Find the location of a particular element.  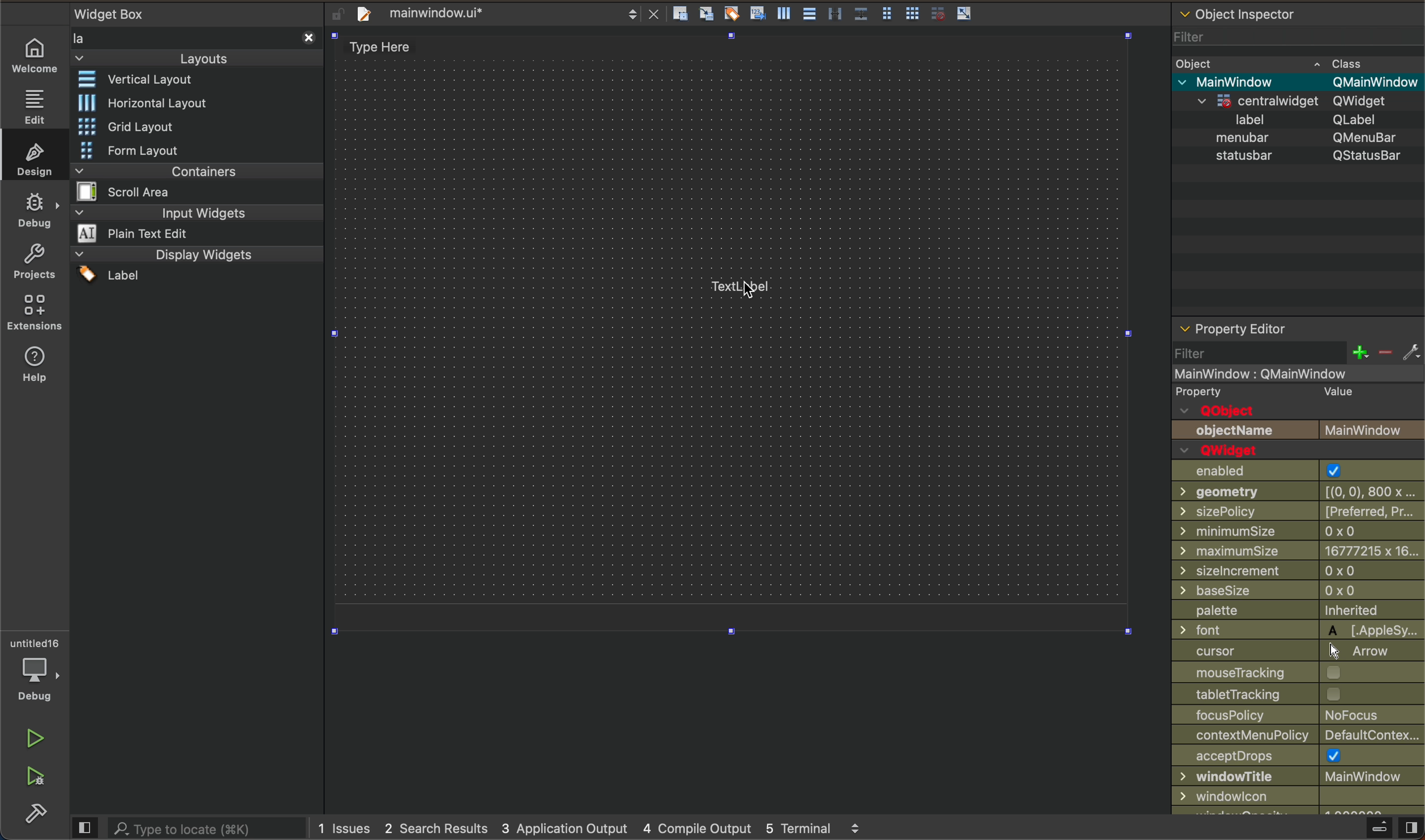

build is located at coordinates (31, 815).